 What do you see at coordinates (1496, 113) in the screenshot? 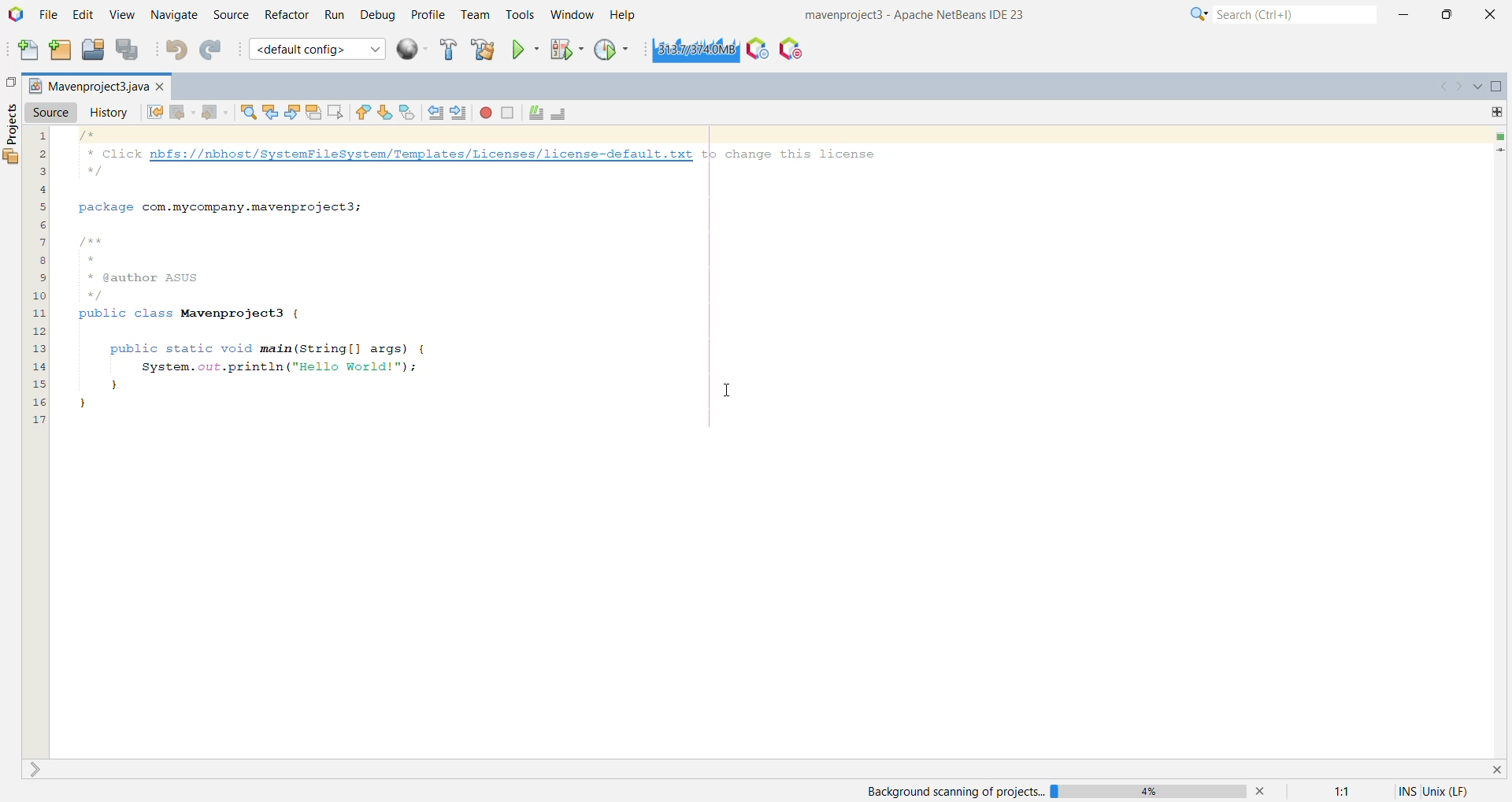
I see `Drag me split this window vertically or horizontally` at bounding box center [1496, 113].